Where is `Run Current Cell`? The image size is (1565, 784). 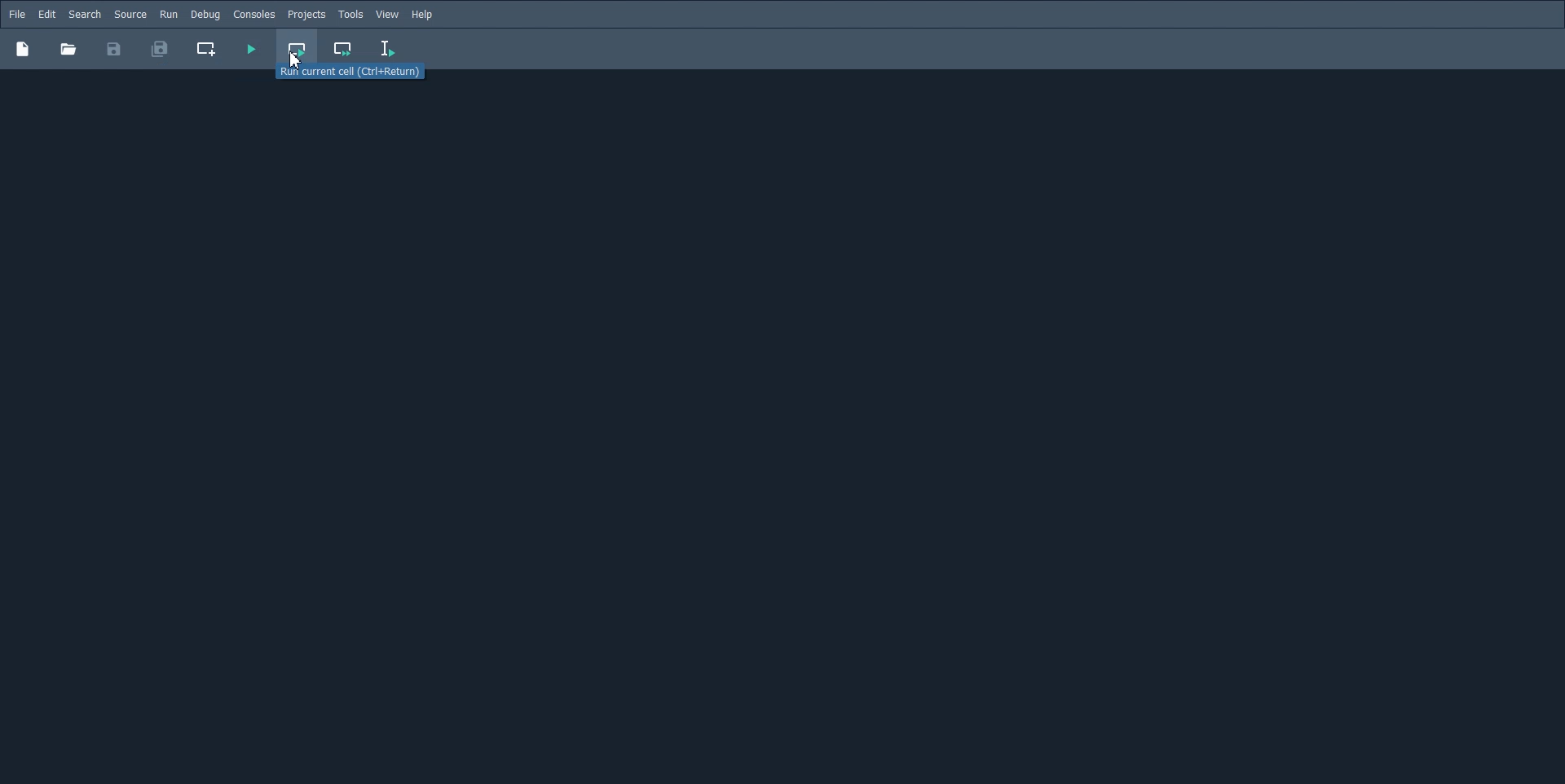
Run Current Cell is located at coordinates (358, 74).